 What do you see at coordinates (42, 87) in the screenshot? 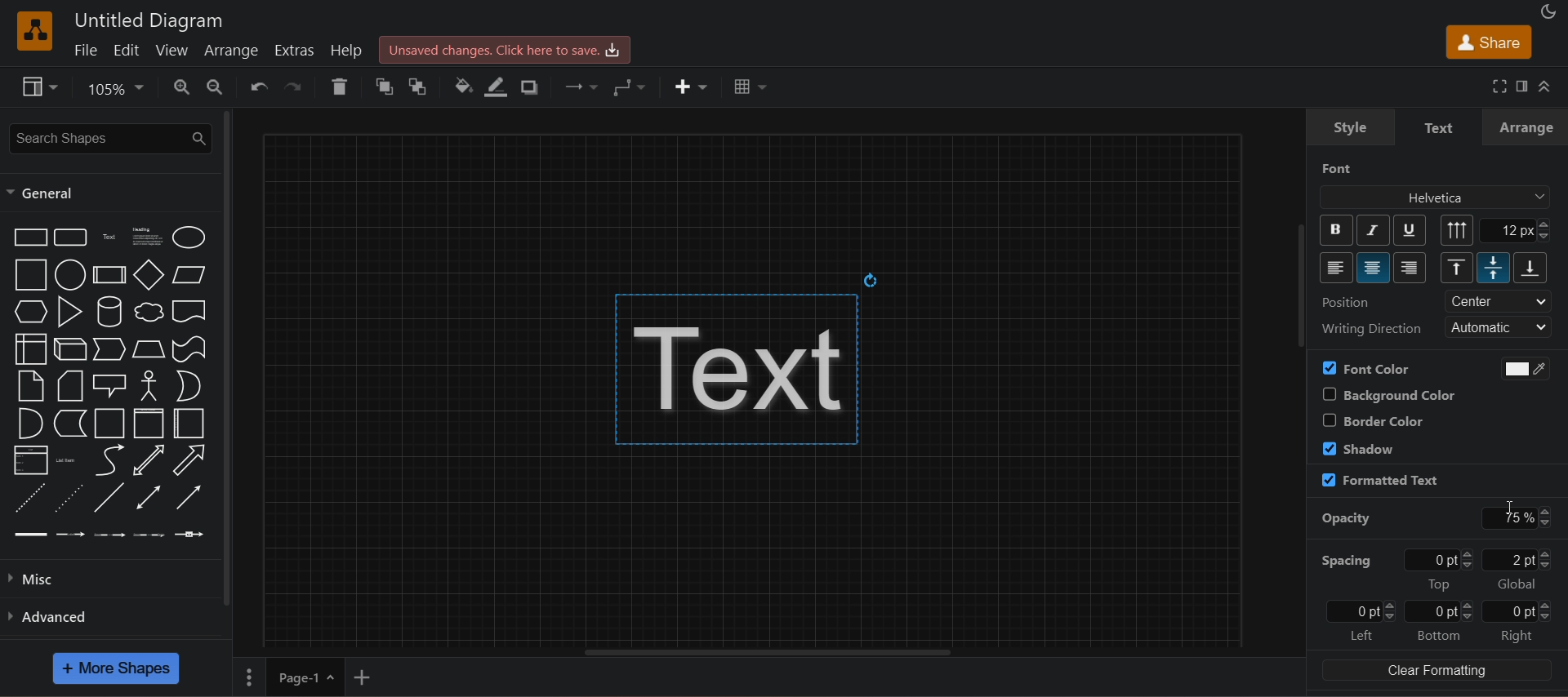
I see `view` at bounding box center [42, 87].